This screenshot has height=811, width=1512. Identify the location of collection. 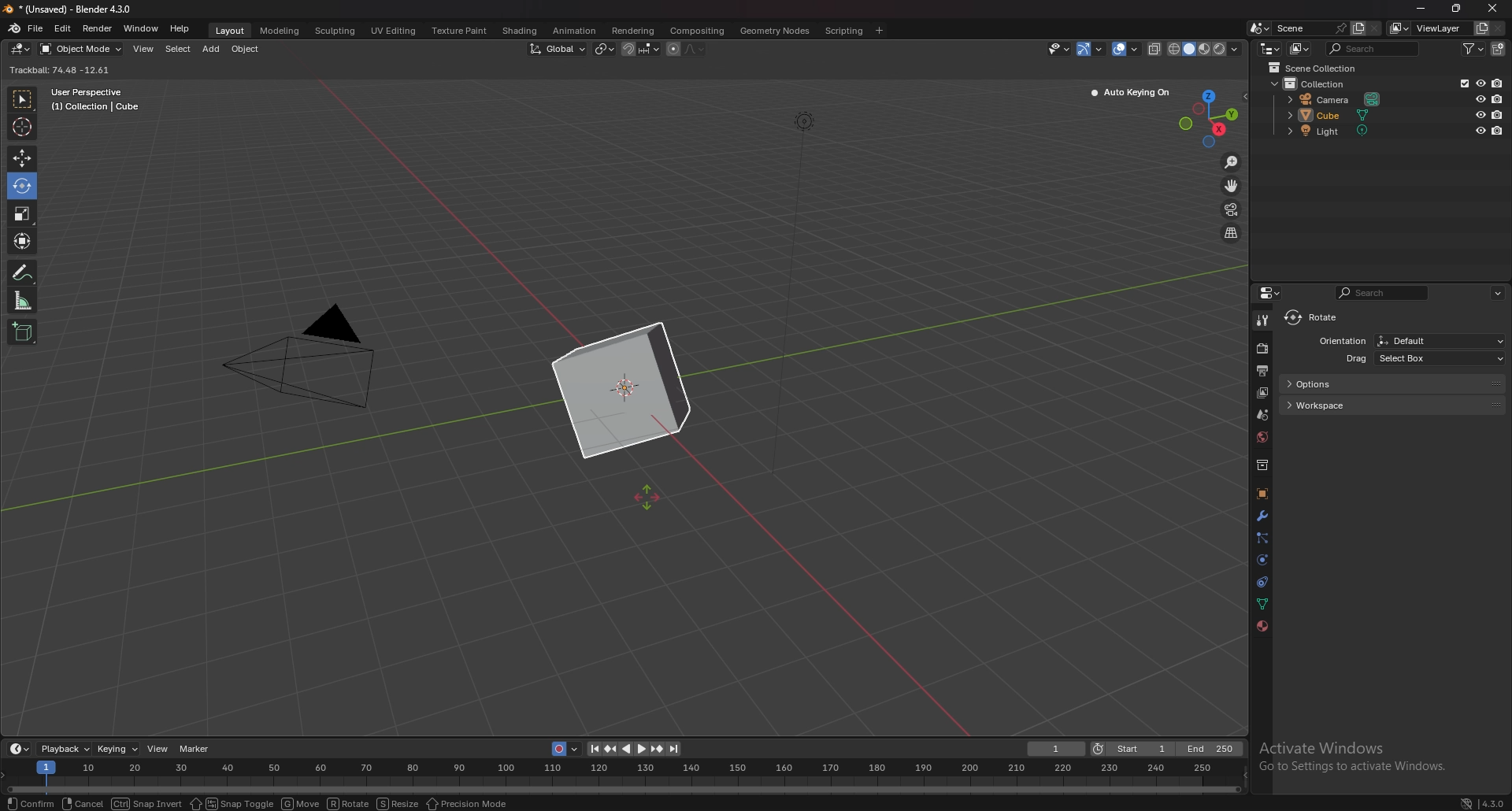
(1262, 465).